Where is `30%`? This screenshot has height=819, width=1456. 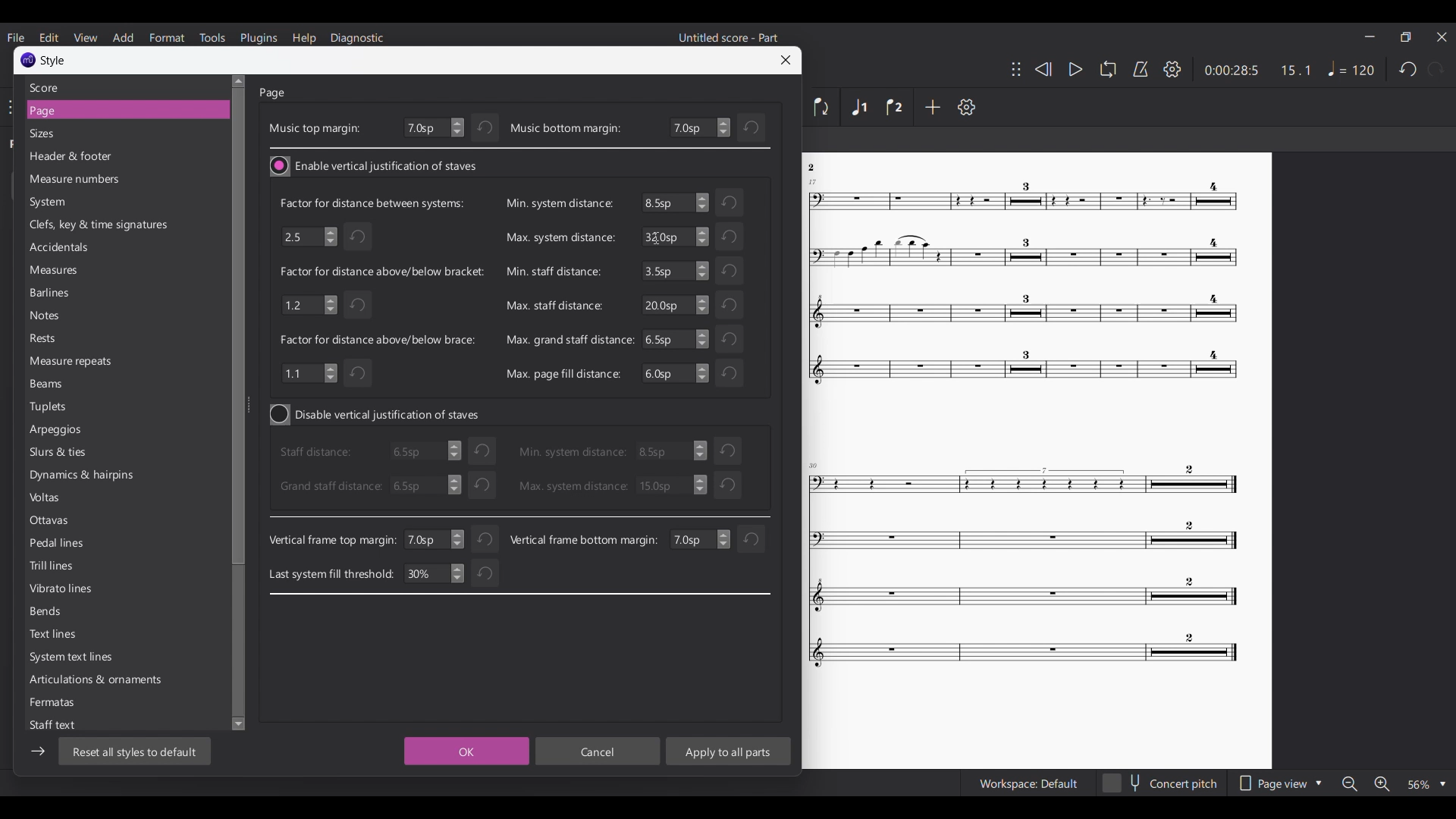 30% is located at coordinates (435, 573).